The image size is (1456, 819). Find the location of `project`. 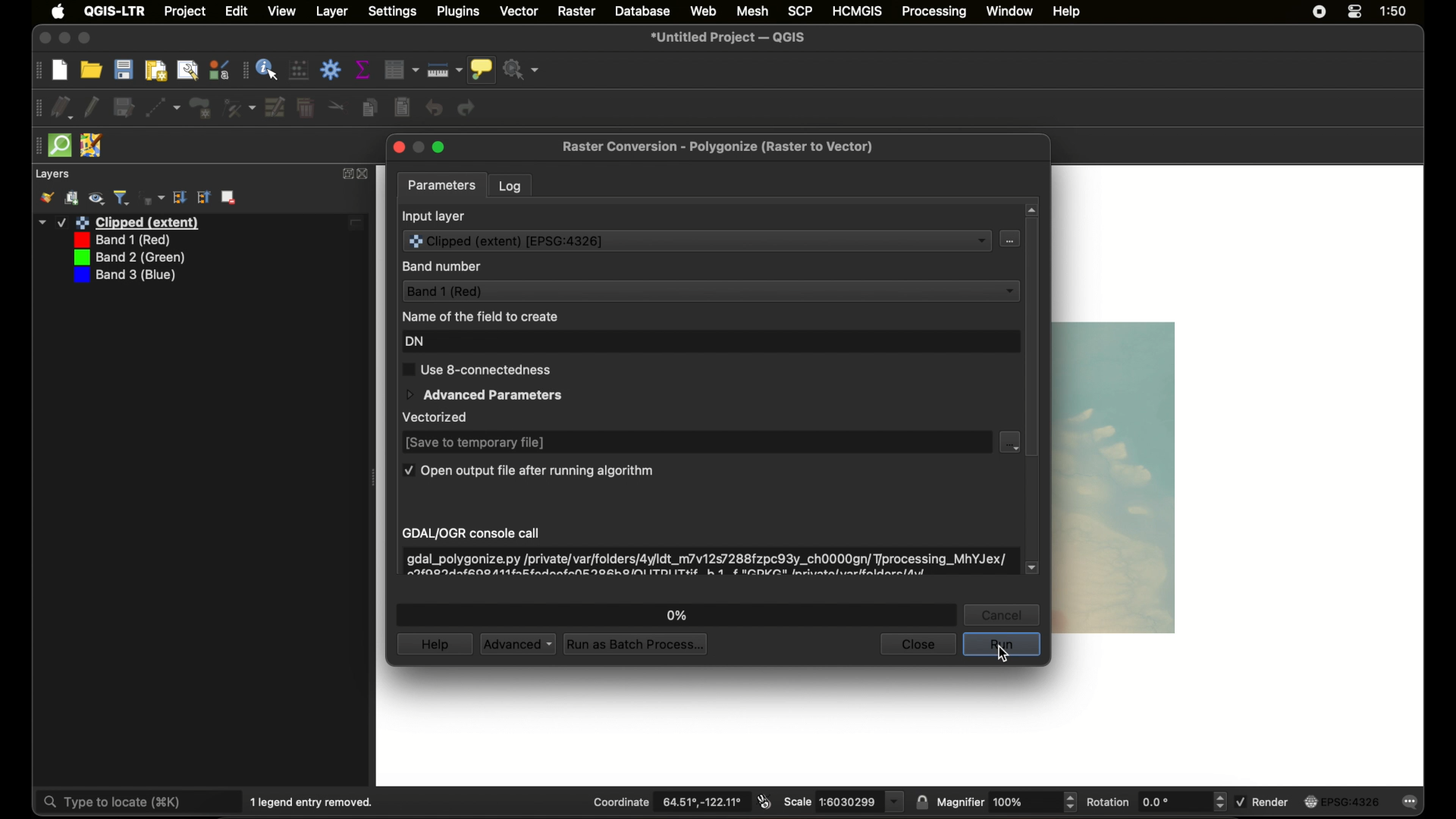

project is located at coordinates (186, 12).